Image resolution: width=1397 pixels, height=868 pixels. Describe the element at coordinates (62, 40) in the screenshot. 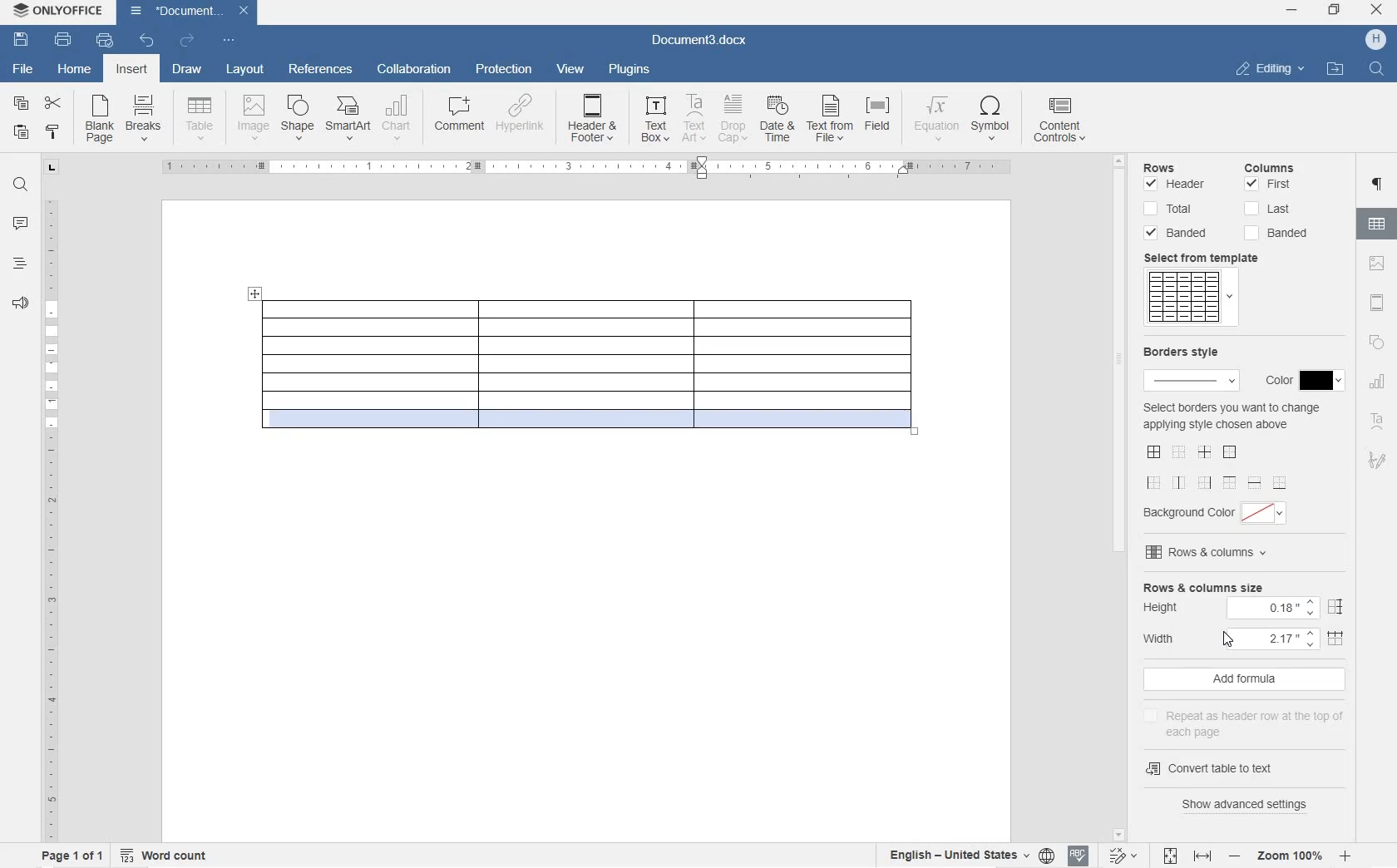

I see `PRINT` at that location.